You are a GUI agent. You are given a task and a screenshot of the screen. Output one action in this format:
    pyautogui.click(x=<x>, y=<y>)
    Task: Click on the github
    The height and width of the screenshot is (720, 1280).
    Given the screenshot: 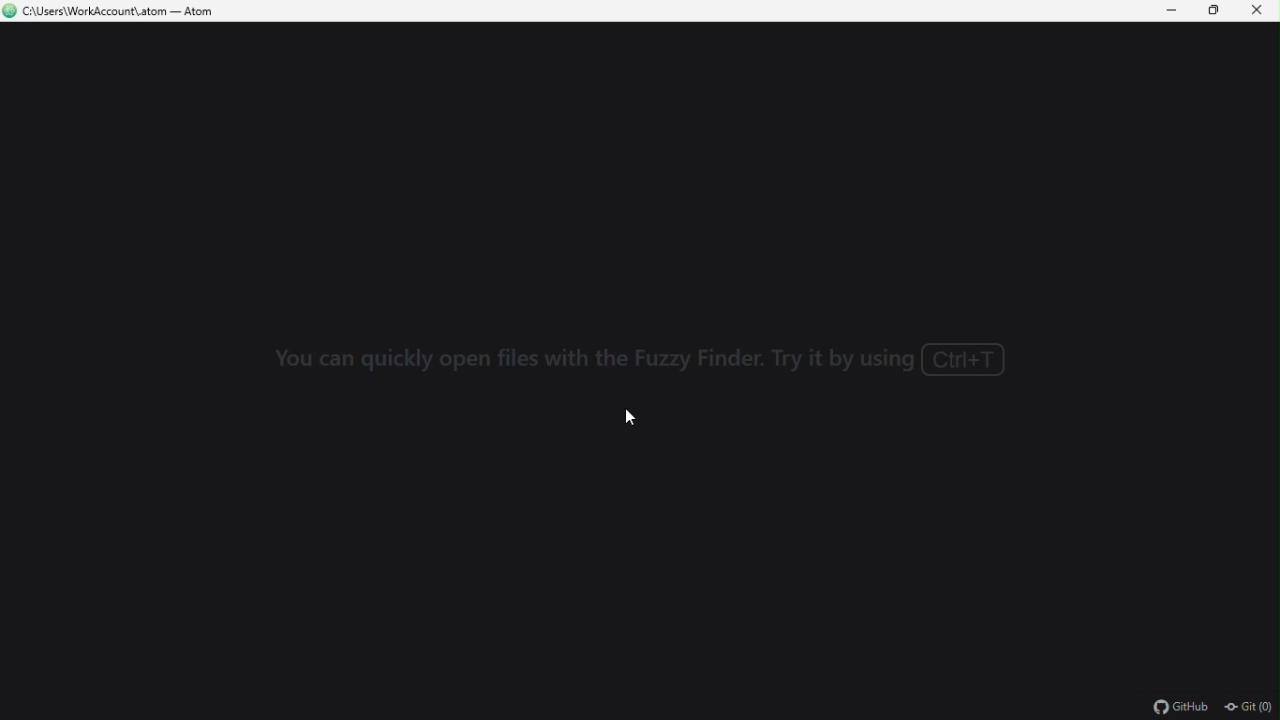 What is the action you would take?
    pyautogui.click(x=1183, y=708)
    